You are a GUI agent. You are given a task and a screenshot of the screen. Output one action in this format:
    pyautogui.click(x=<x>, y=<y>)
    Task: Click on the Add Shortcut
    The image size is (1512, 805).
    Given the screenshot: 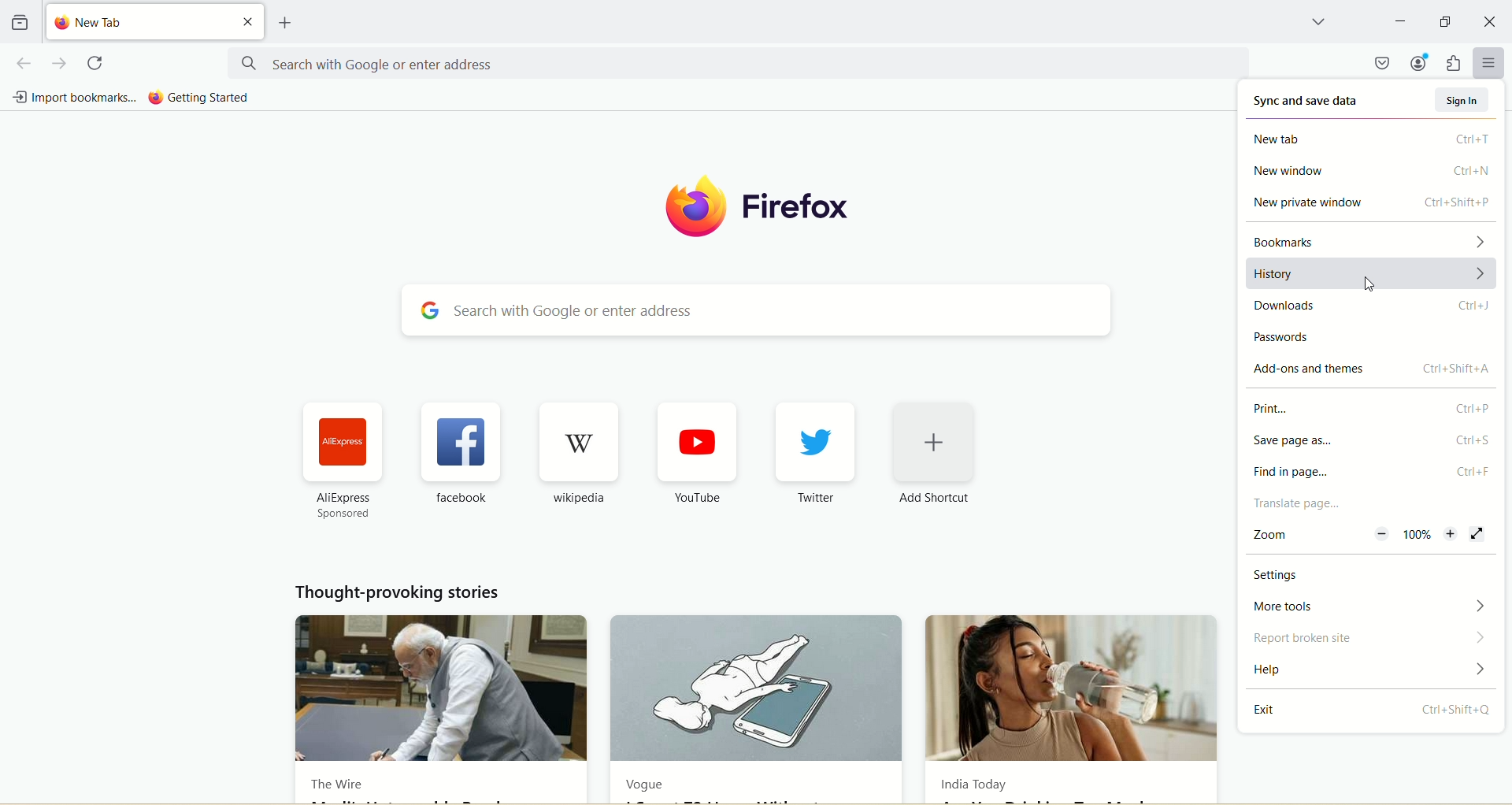 What is the action you would take?
    pyautogui.click(x=934, y=500)
    